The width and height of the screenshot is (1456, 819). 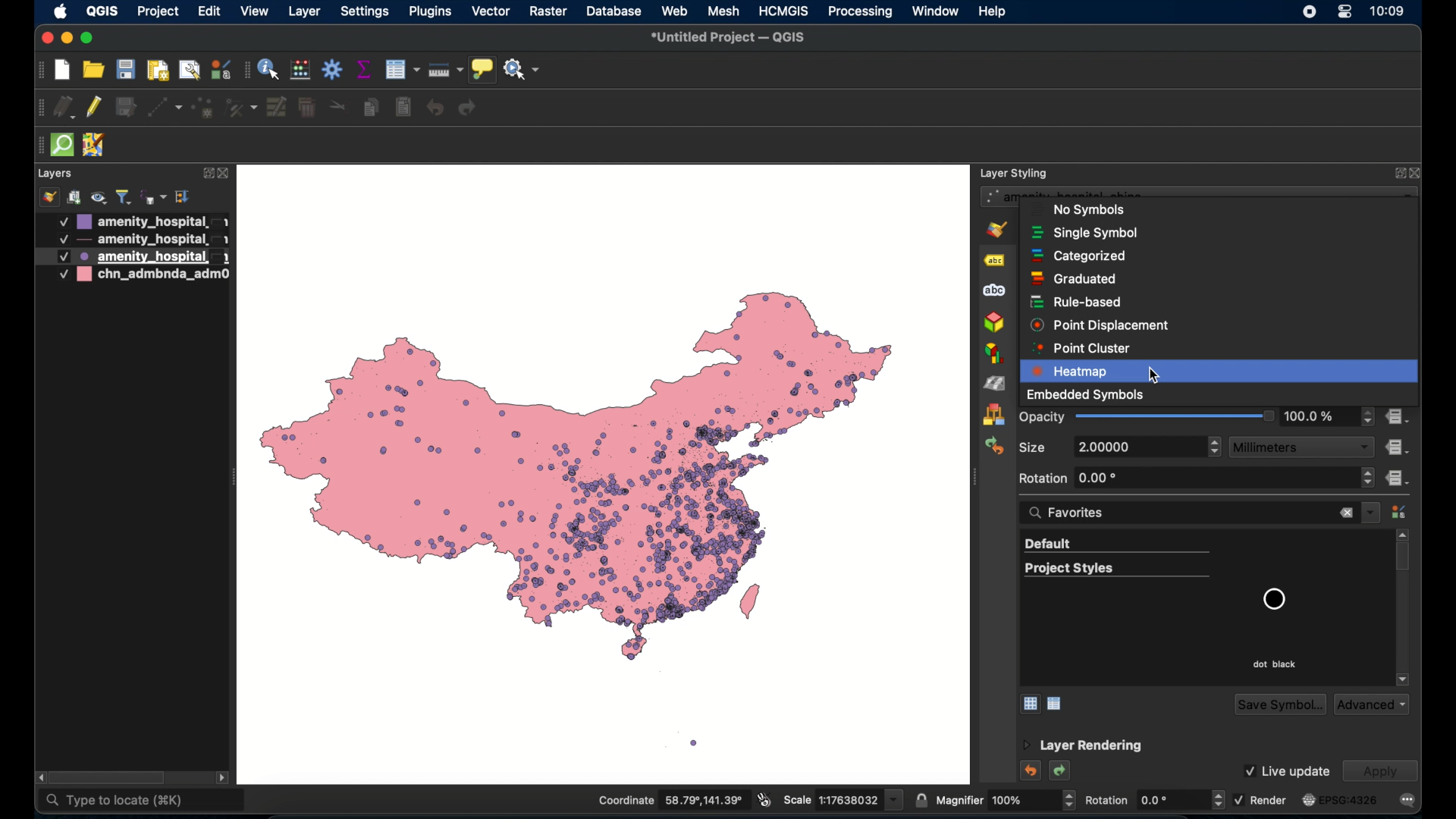 I want to click on close, so click(x=1416, y=171).